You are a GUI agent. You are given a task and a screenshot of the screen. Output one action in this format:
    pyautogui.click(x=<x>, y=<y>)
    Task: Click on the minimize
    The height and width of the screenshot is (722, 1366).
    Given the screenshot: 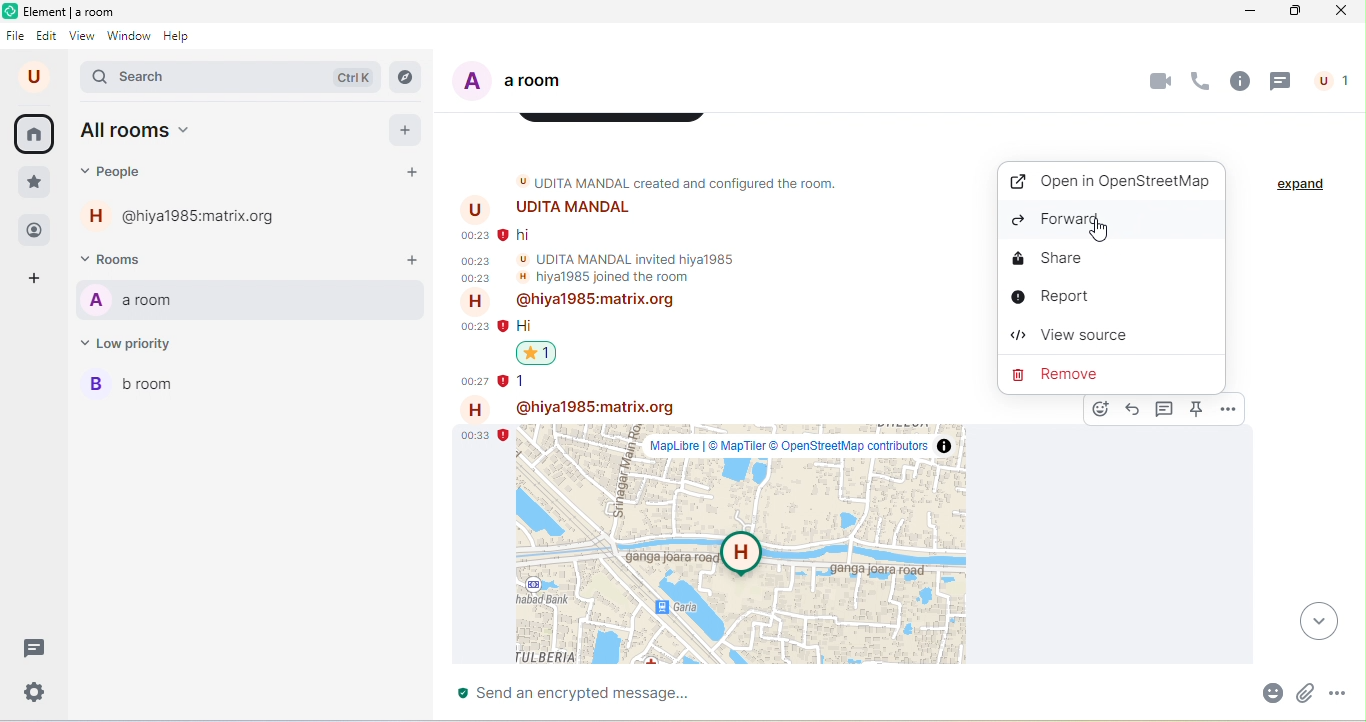 What is the action you would take?
    pyautogui.click(x=1246, y=11)
    